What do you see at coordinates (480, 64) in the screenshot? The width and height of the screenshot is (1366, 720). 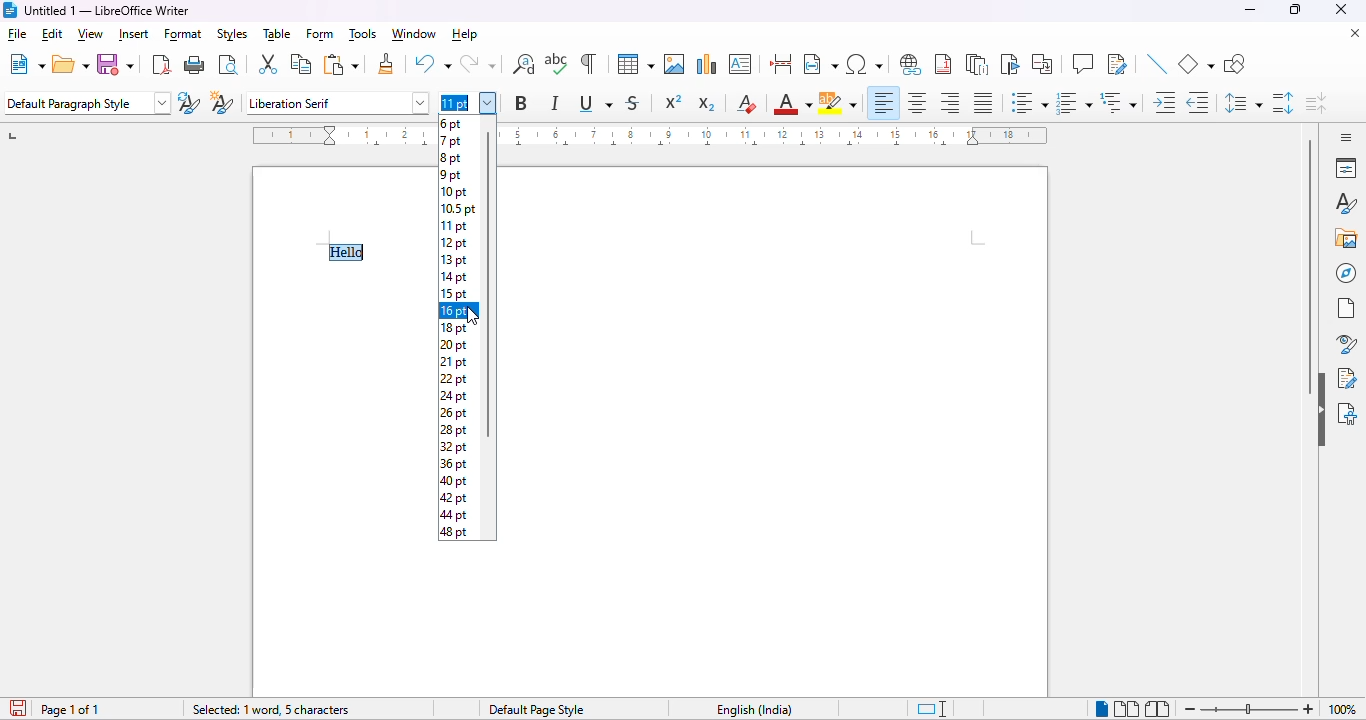 I see `redo` at bounding box center [480, 64].